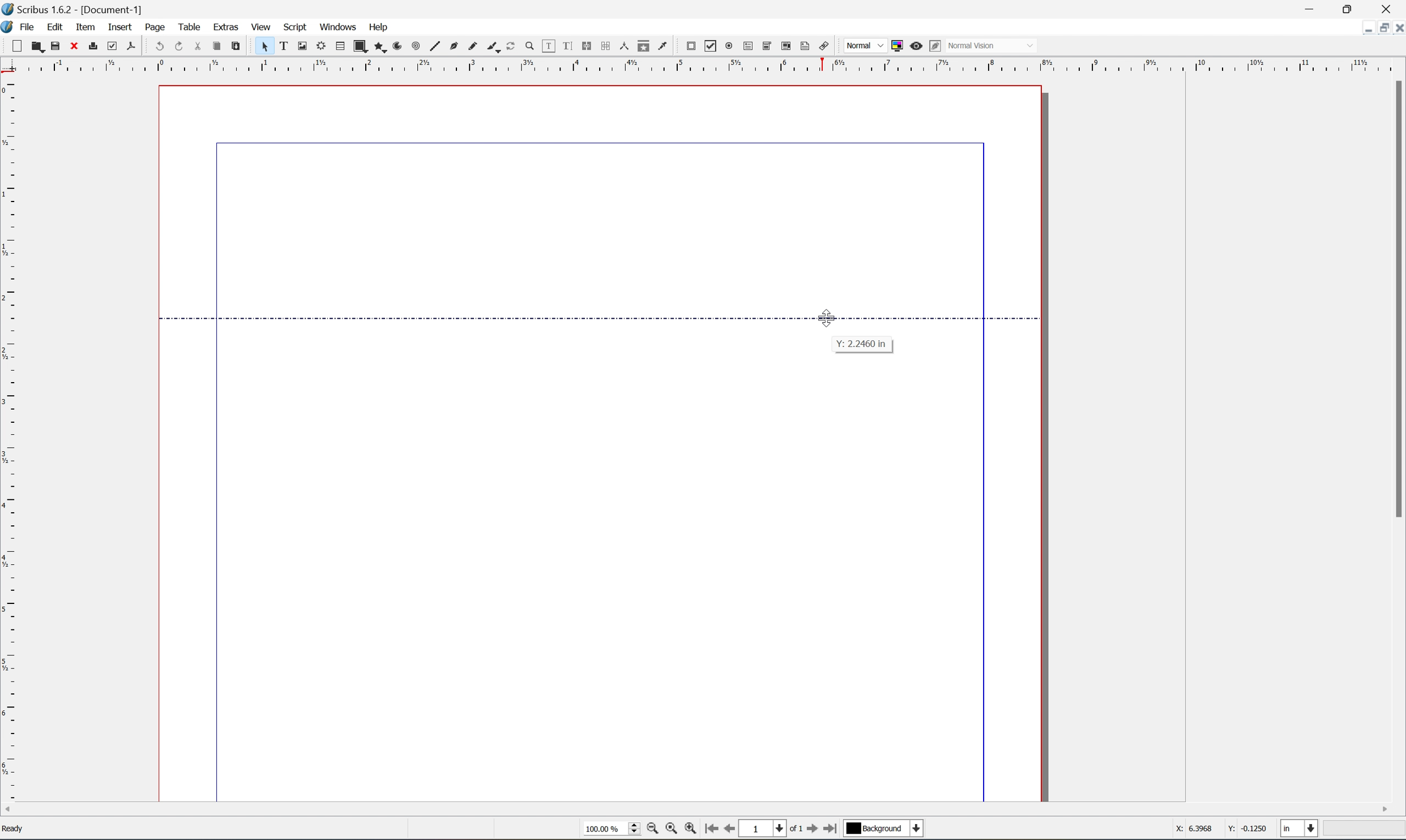 The width and height of the screenshot is (1406, 840). Describe the element at coordinates (550, 48) in the screenshot. I see `edit contents of frames` at that location.